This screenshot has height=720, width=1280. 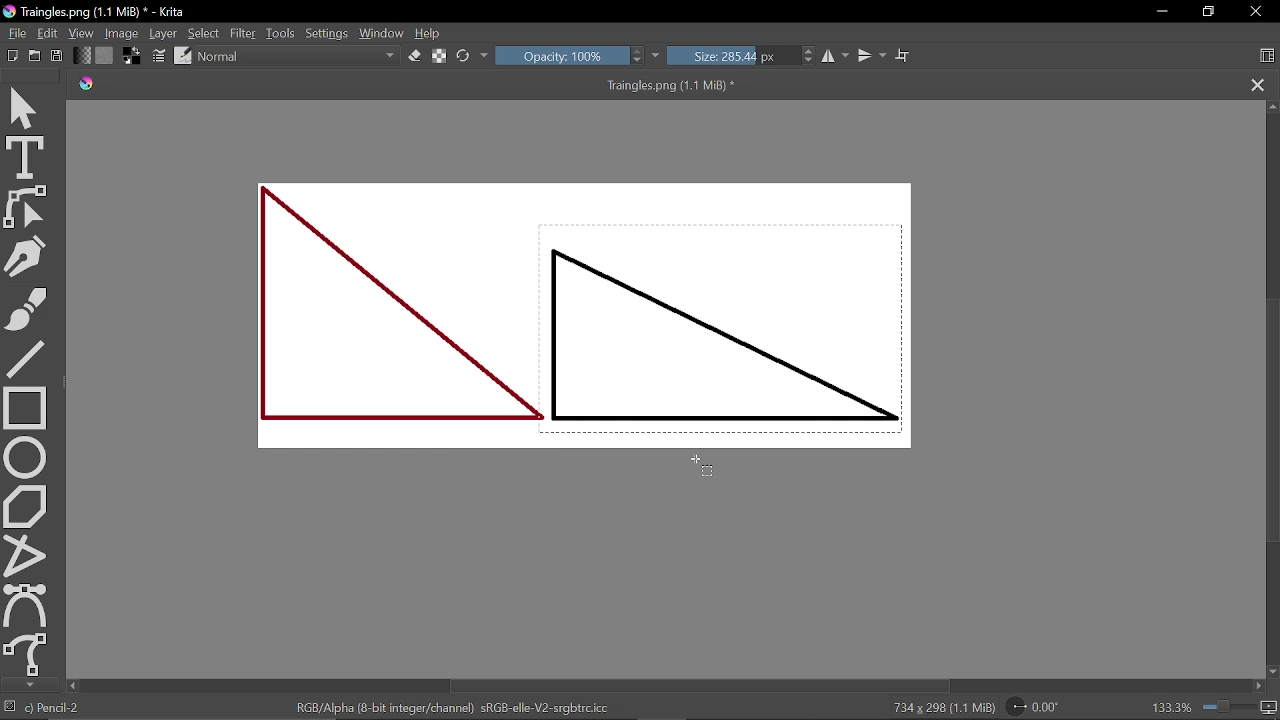 What do you see at coordinates (47, 33) in the screenshot?
I see `Edit` at bounding box center [47, 33].